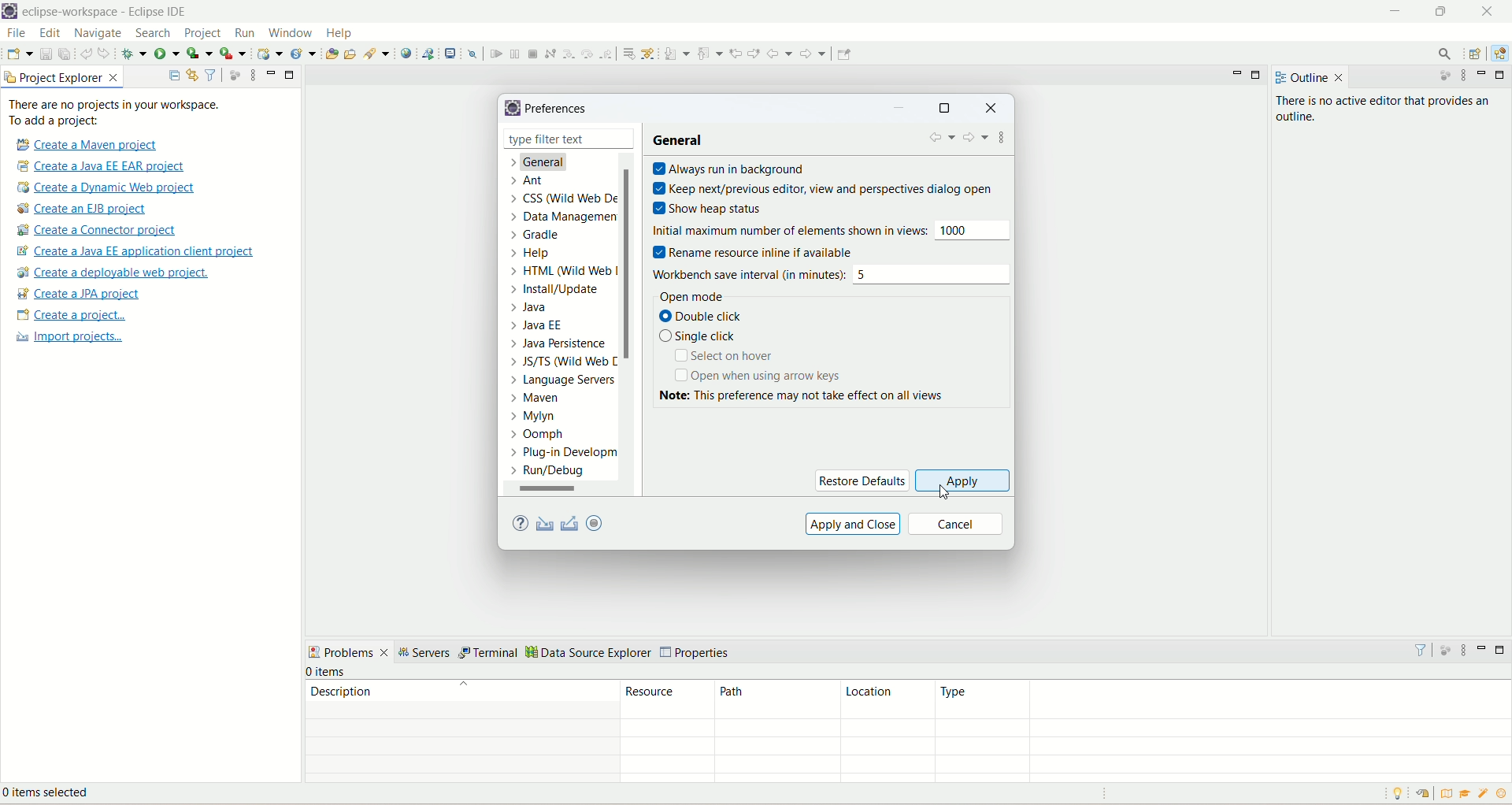 The width and height of the screenshot is (1512, 805). What do you see at coordinates (1439, 77) in the screenshot?
I see `focus on active task` at bounding box center [1439, 77].